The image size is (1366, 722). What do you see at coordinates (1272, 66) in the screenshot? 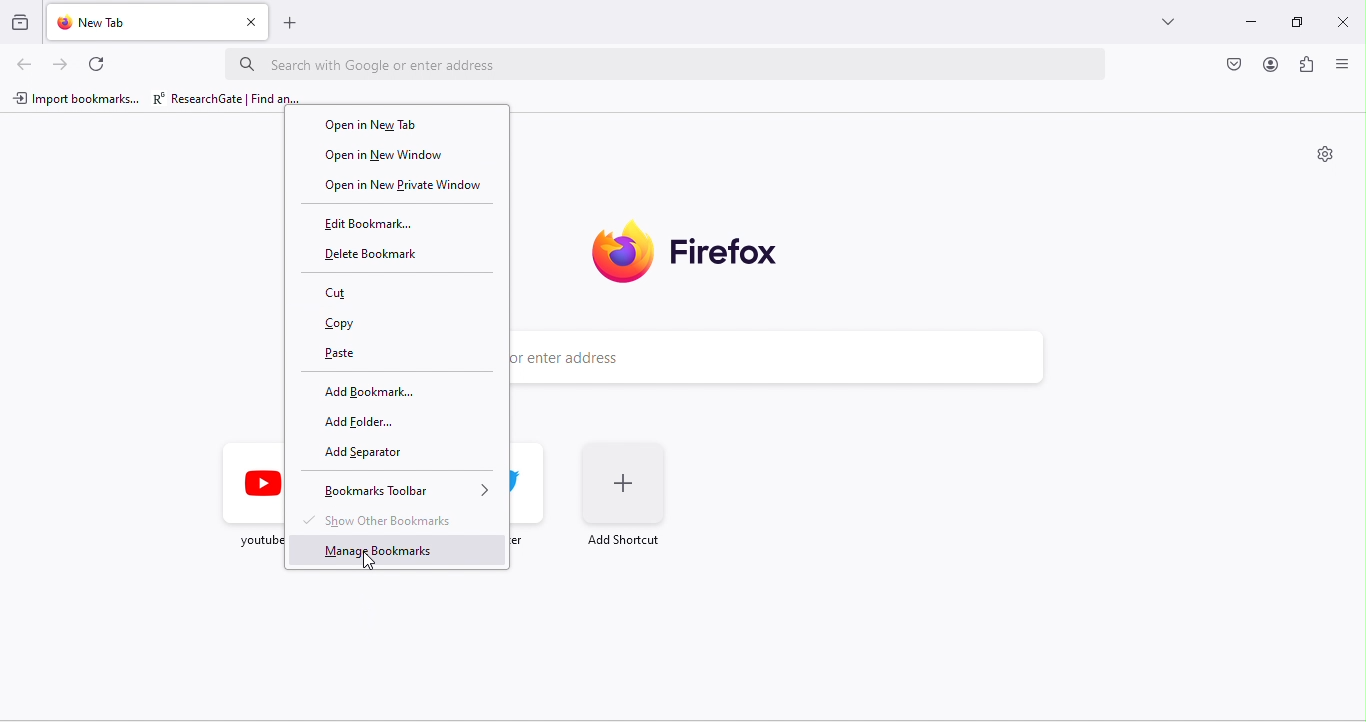
I see `account` at bounding box center [1272, 66].